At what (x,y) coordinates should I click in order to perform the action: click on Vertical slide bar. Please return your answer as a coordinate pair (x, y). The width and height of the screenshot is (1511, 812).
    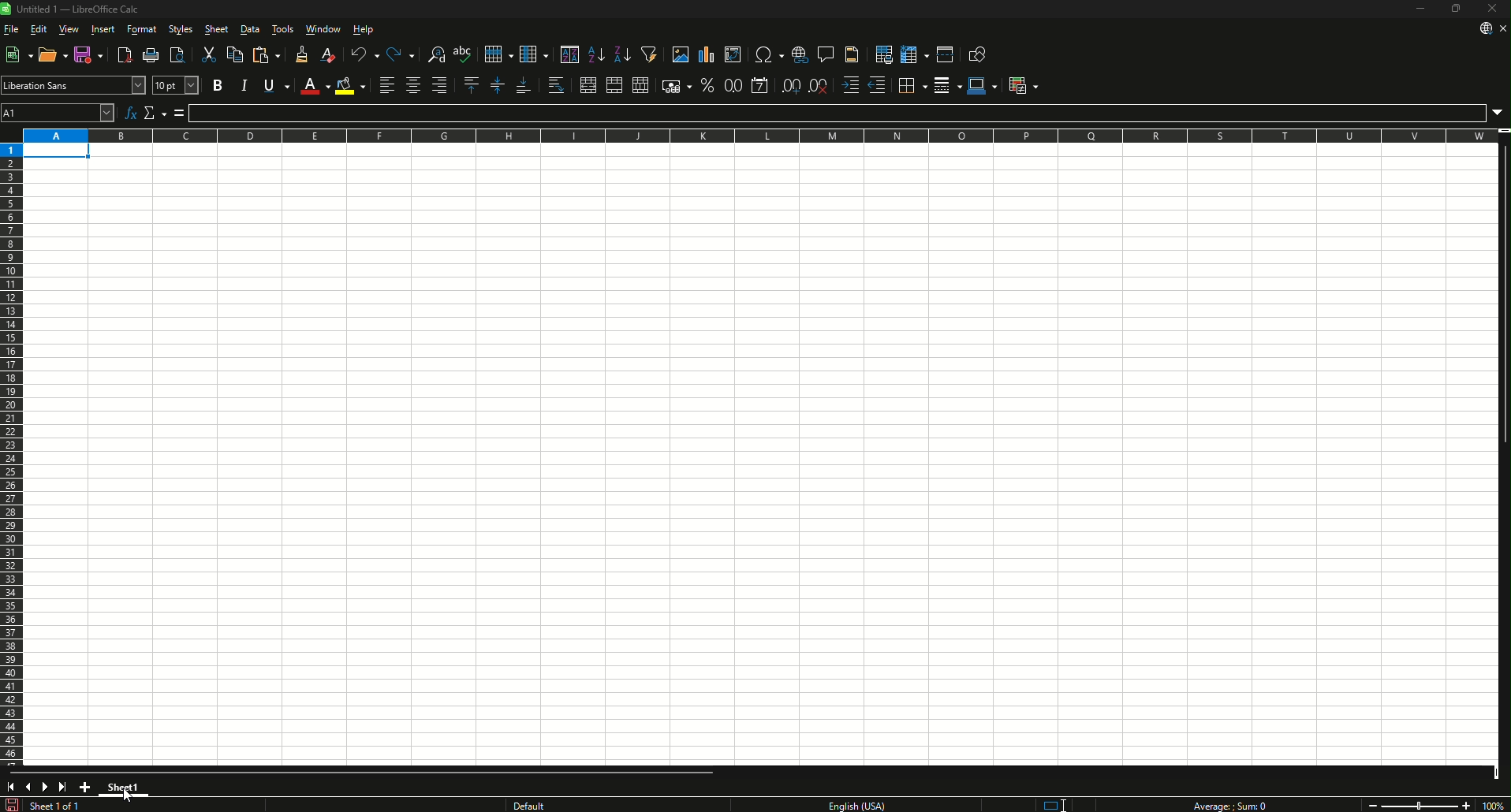
    Looking at the image, I should click on (1505, 294).